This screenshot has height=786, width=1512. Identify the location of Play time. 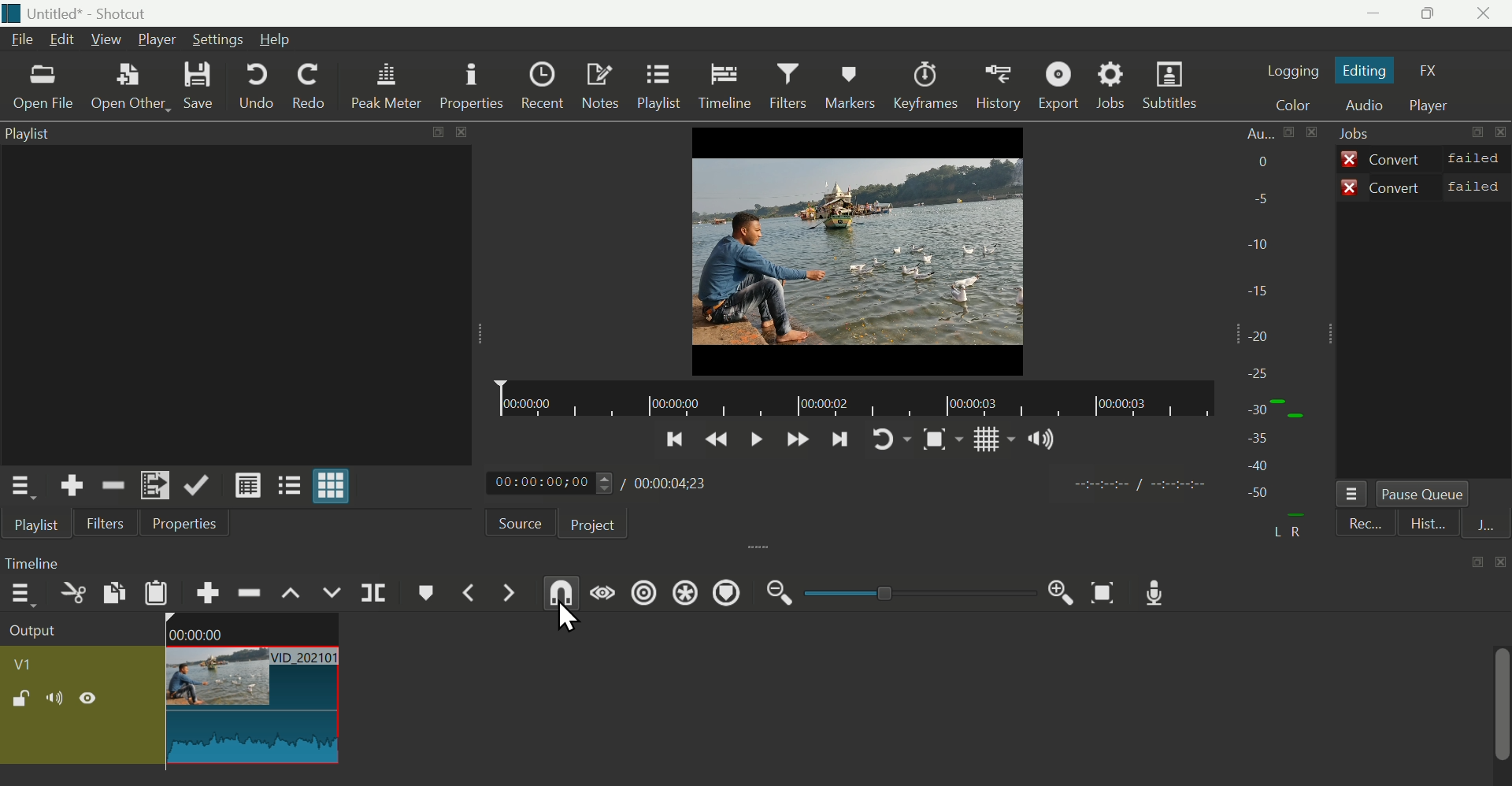
(607, 484).